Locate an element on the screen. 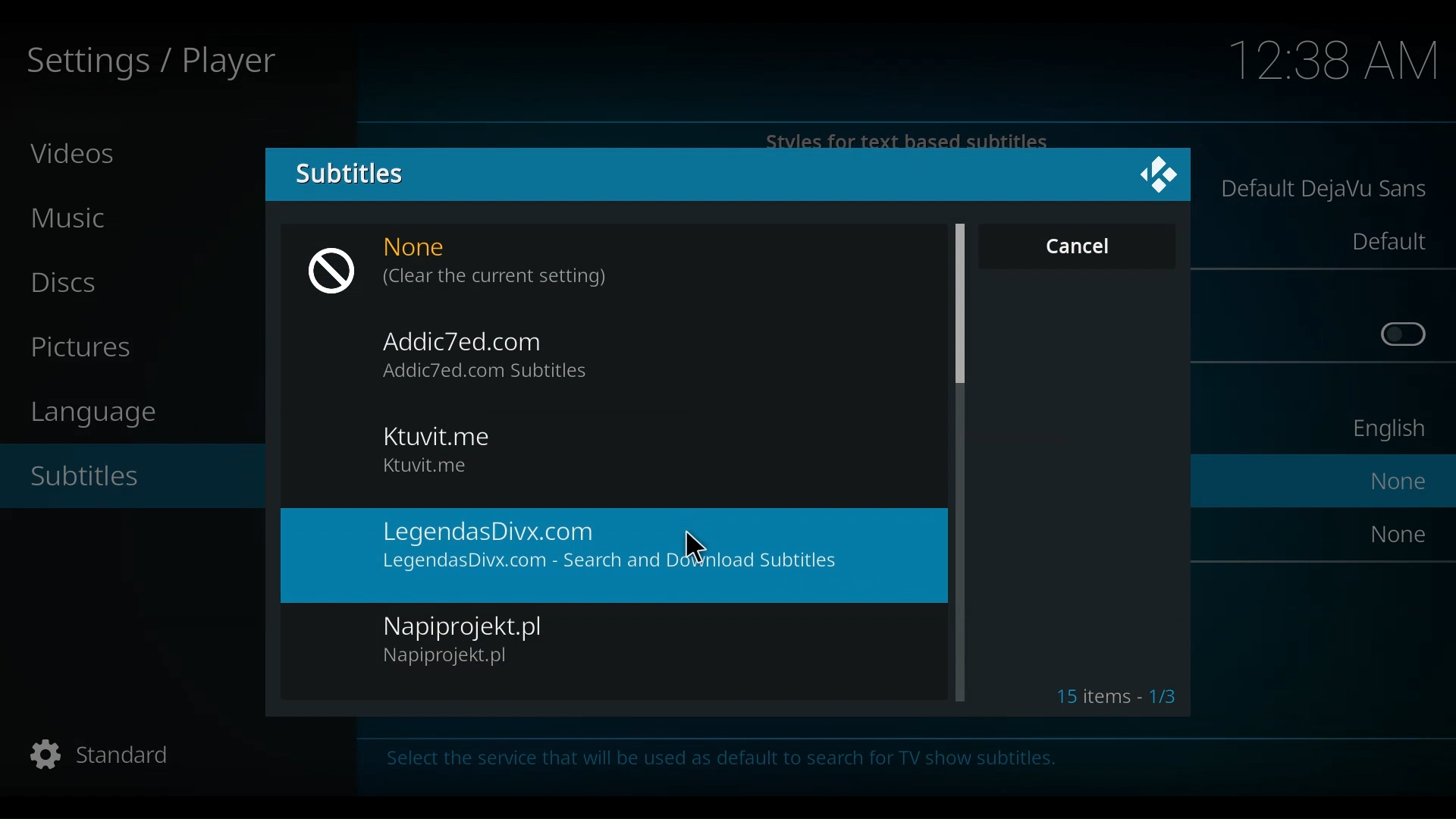 This screenshot has height=819, width=1456. Discs is located at coordinates (71, 283).